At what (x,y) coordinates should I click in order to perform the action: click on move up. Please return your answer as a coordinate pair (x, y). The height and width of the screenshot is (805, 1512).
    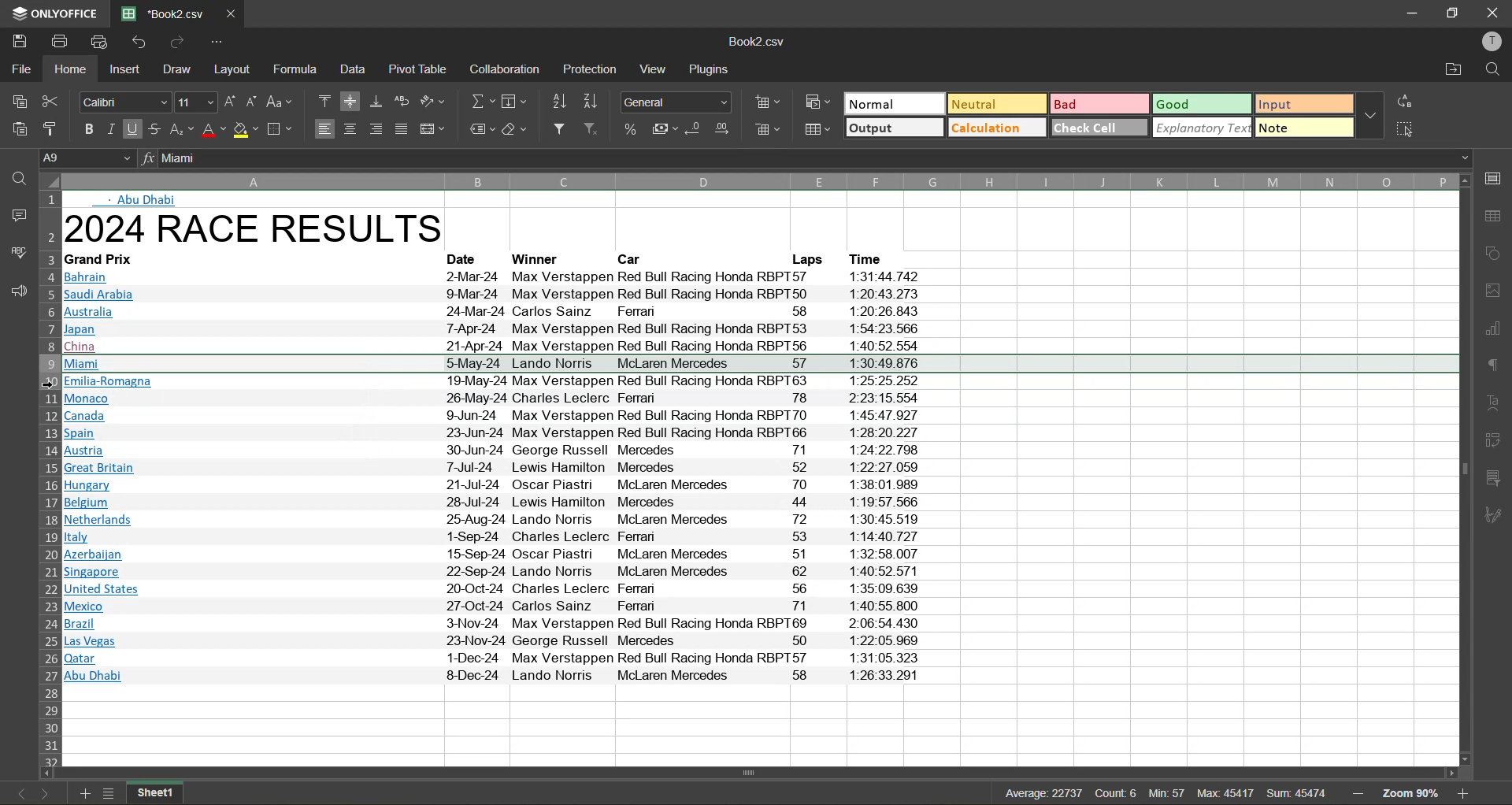
    Looking at the image, I should click on (1468, 181).